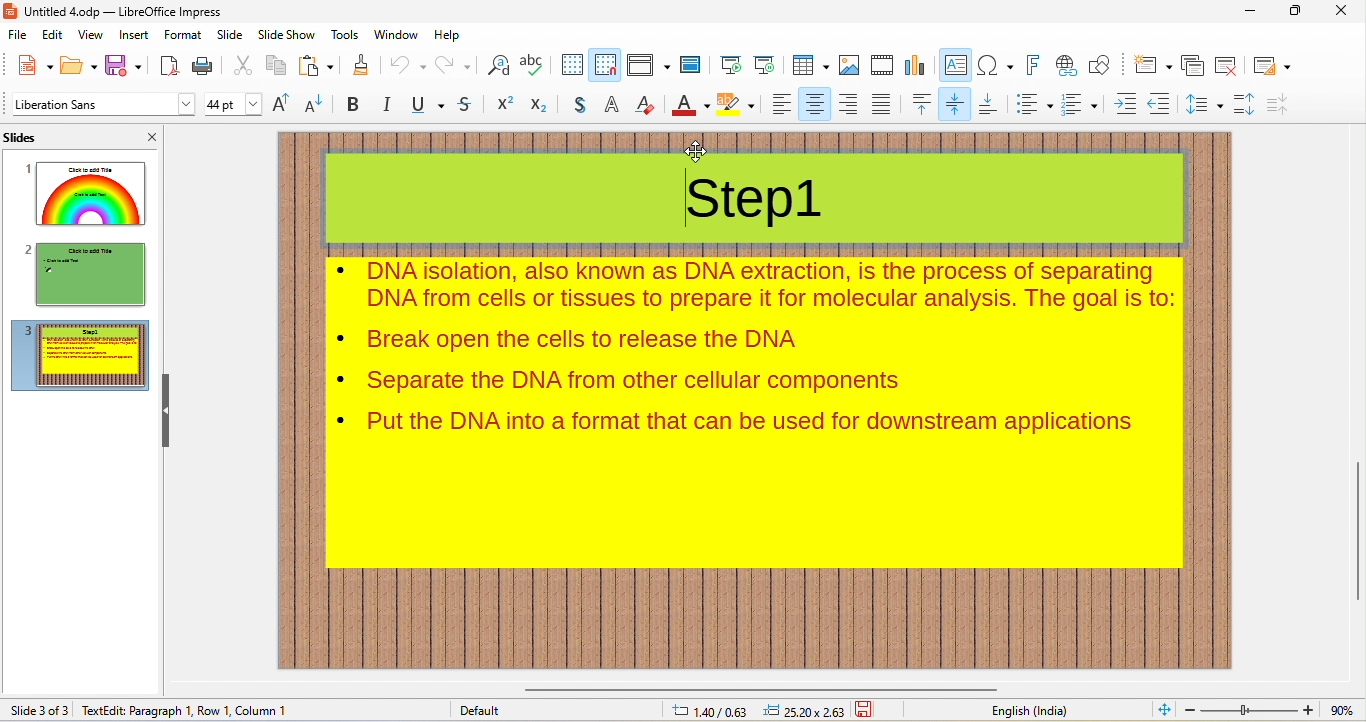  Describe the element at coordinates (1247, 105) in the screenshot. I see `increase paragraph spacing` at that location.